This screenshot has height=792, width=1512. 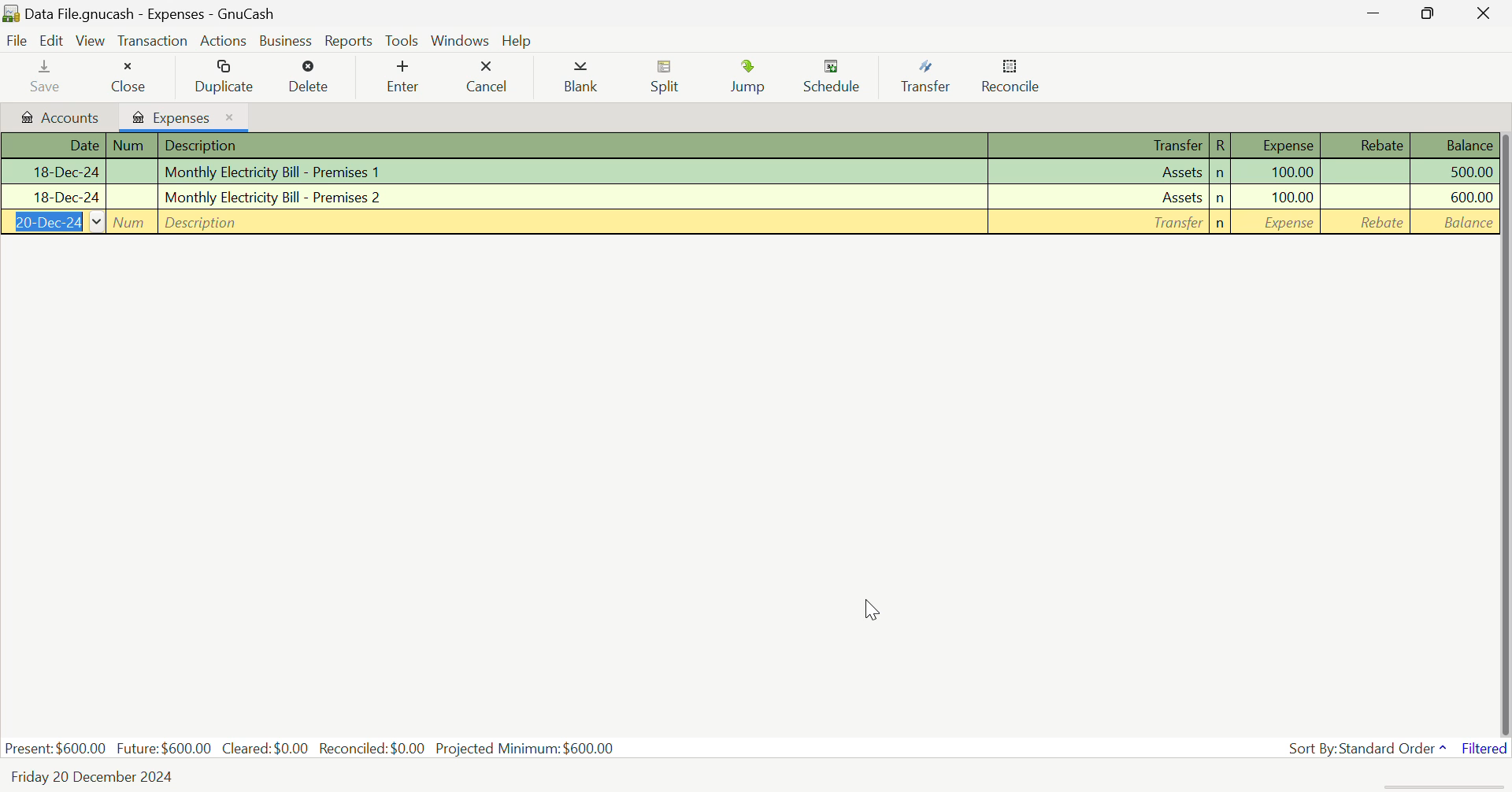 What do you see at coordinates (874, 610) in the screenshot?
I see `Cursor Position AFTER_LAST_ACTION` at bounding box center [874, 610].